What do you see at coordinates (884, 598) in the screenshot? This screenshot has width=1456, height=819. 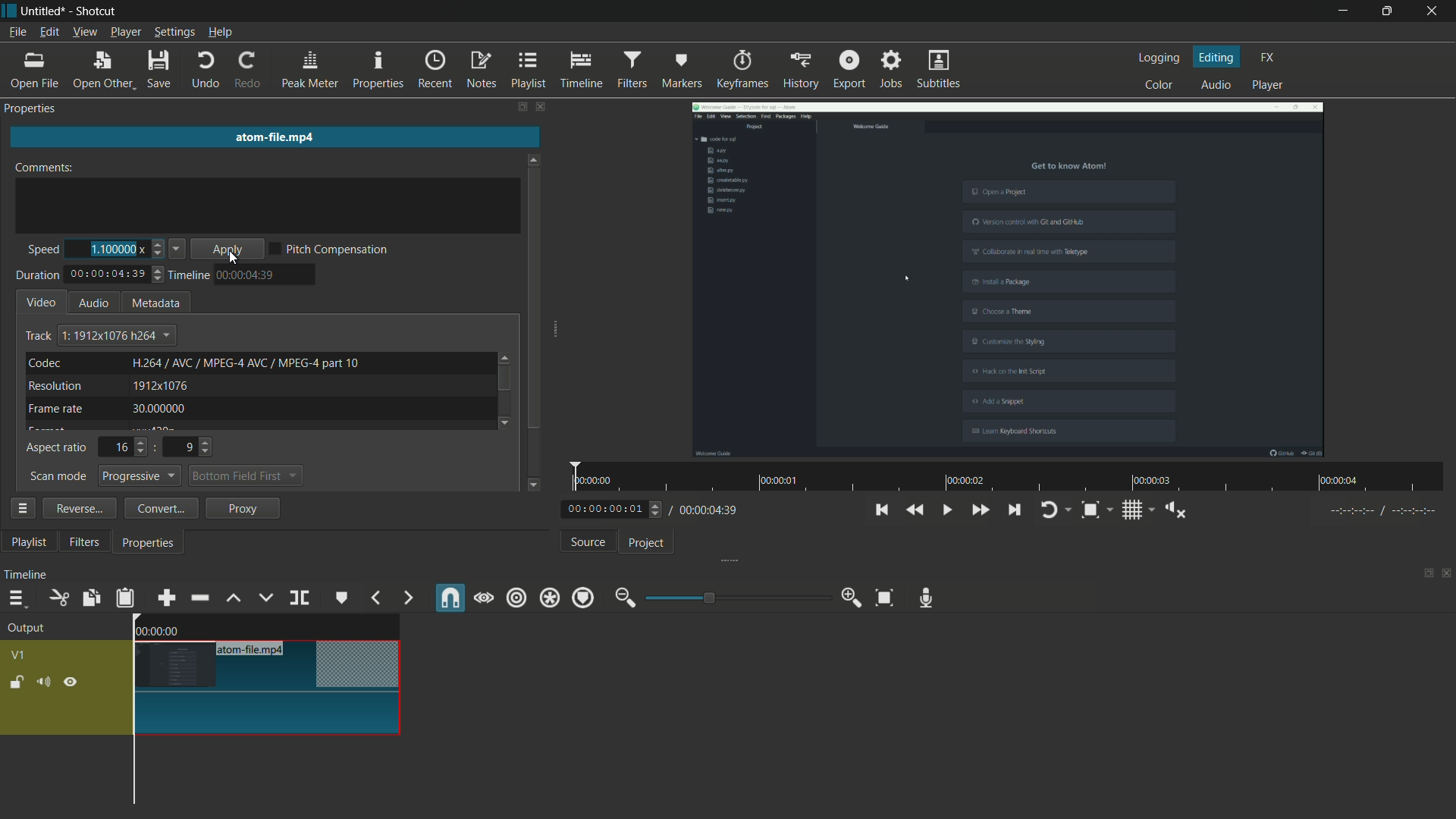 I see `zoom timeline to fit` at bounding box center [884, 598].